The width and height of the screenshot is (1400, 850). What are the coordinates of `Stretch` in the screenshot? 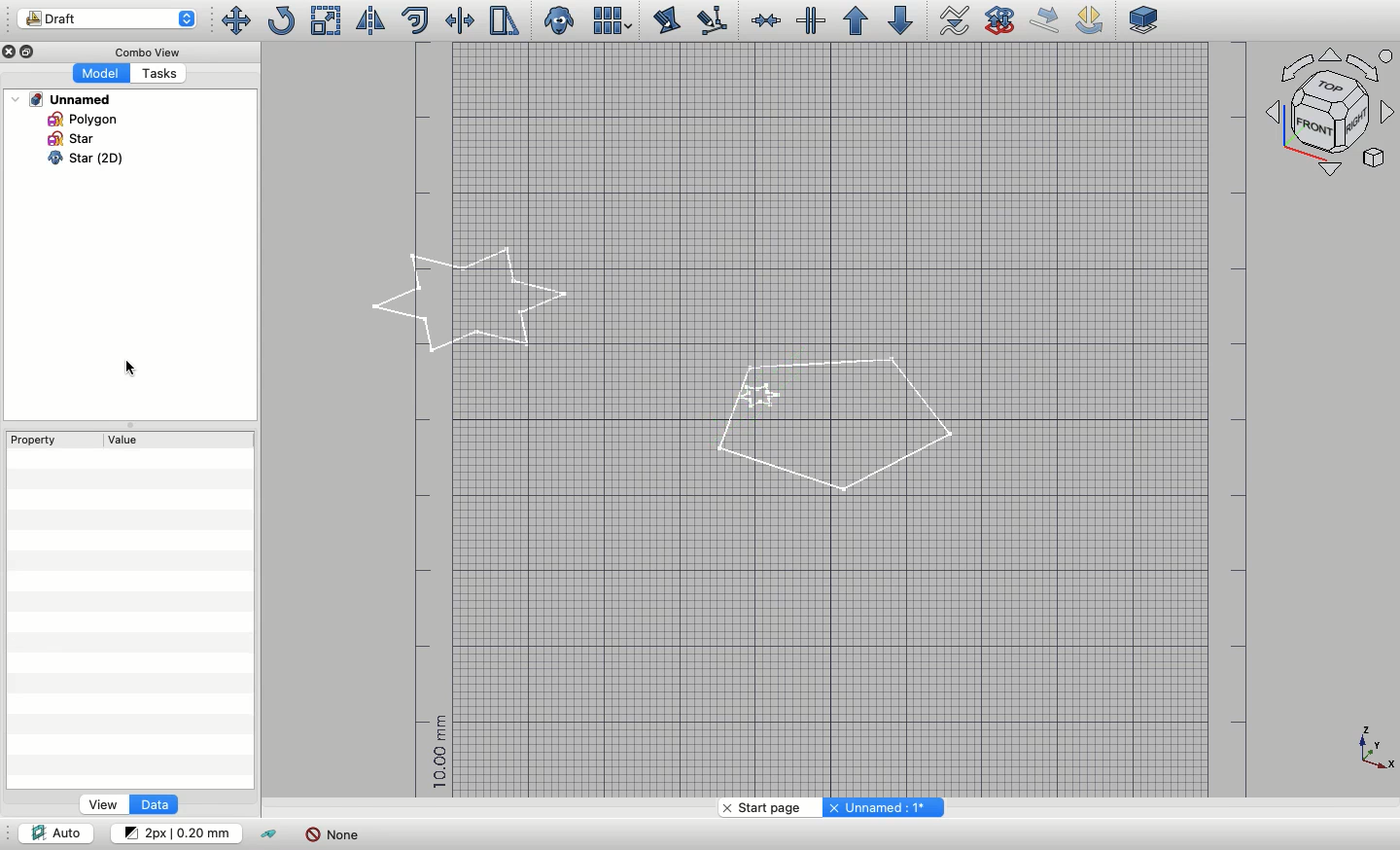 It's located at (503, 20).